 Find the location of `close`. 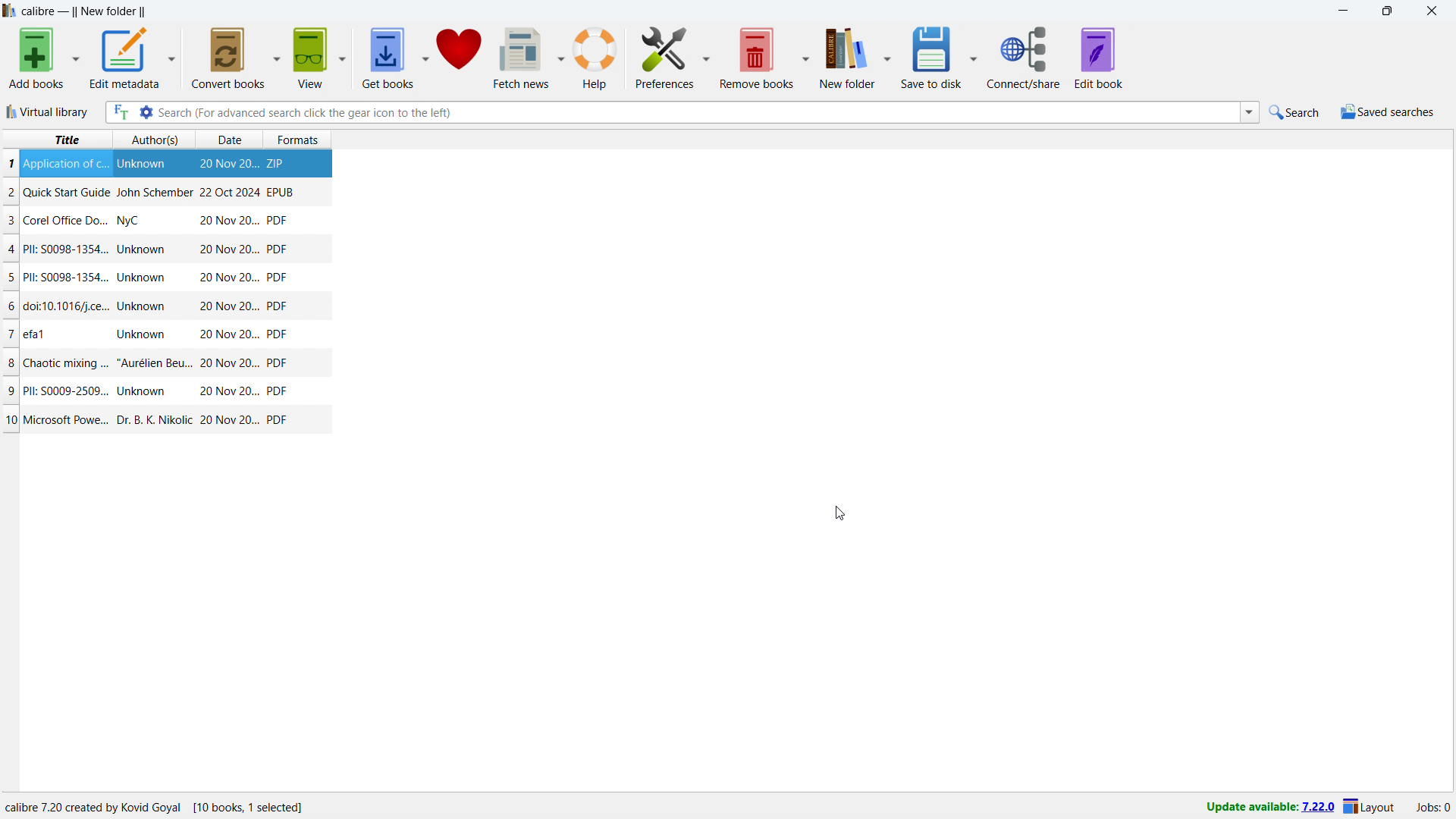

close is located at coordinates (1432, 11).